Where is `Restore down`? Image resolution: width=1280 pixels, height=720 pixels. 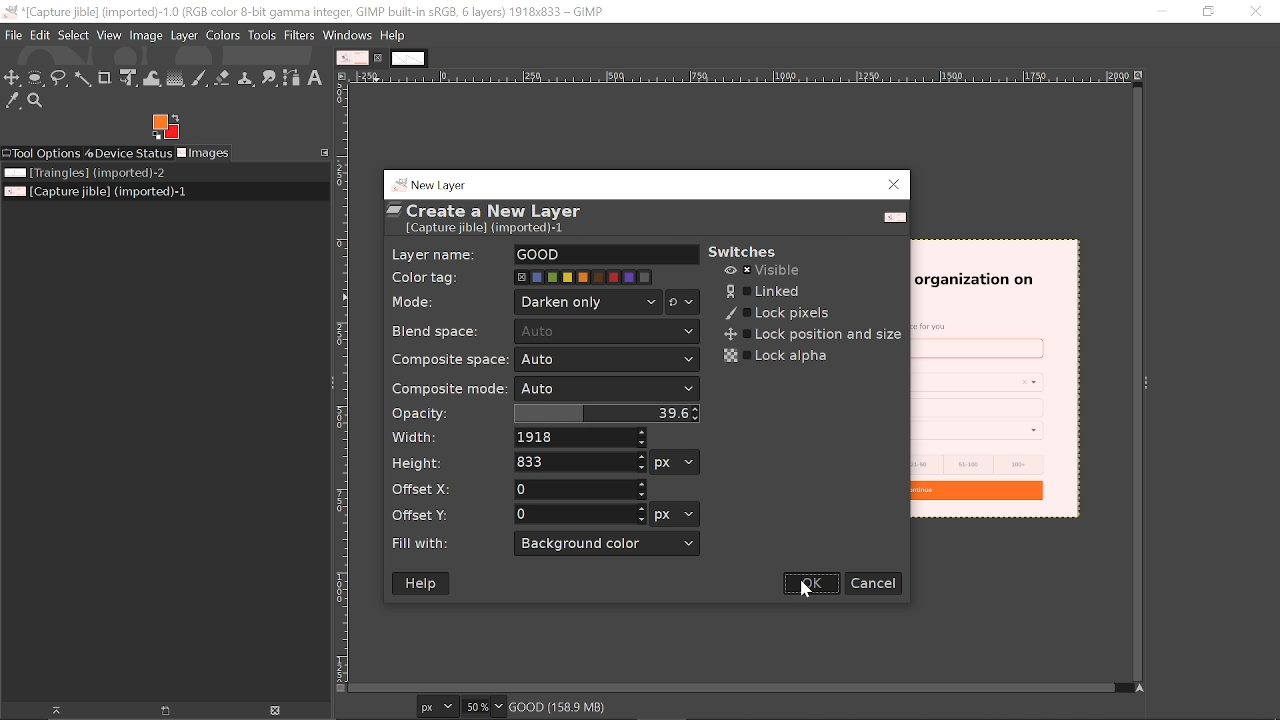
Restore down is located at coordinates (1209, 12).